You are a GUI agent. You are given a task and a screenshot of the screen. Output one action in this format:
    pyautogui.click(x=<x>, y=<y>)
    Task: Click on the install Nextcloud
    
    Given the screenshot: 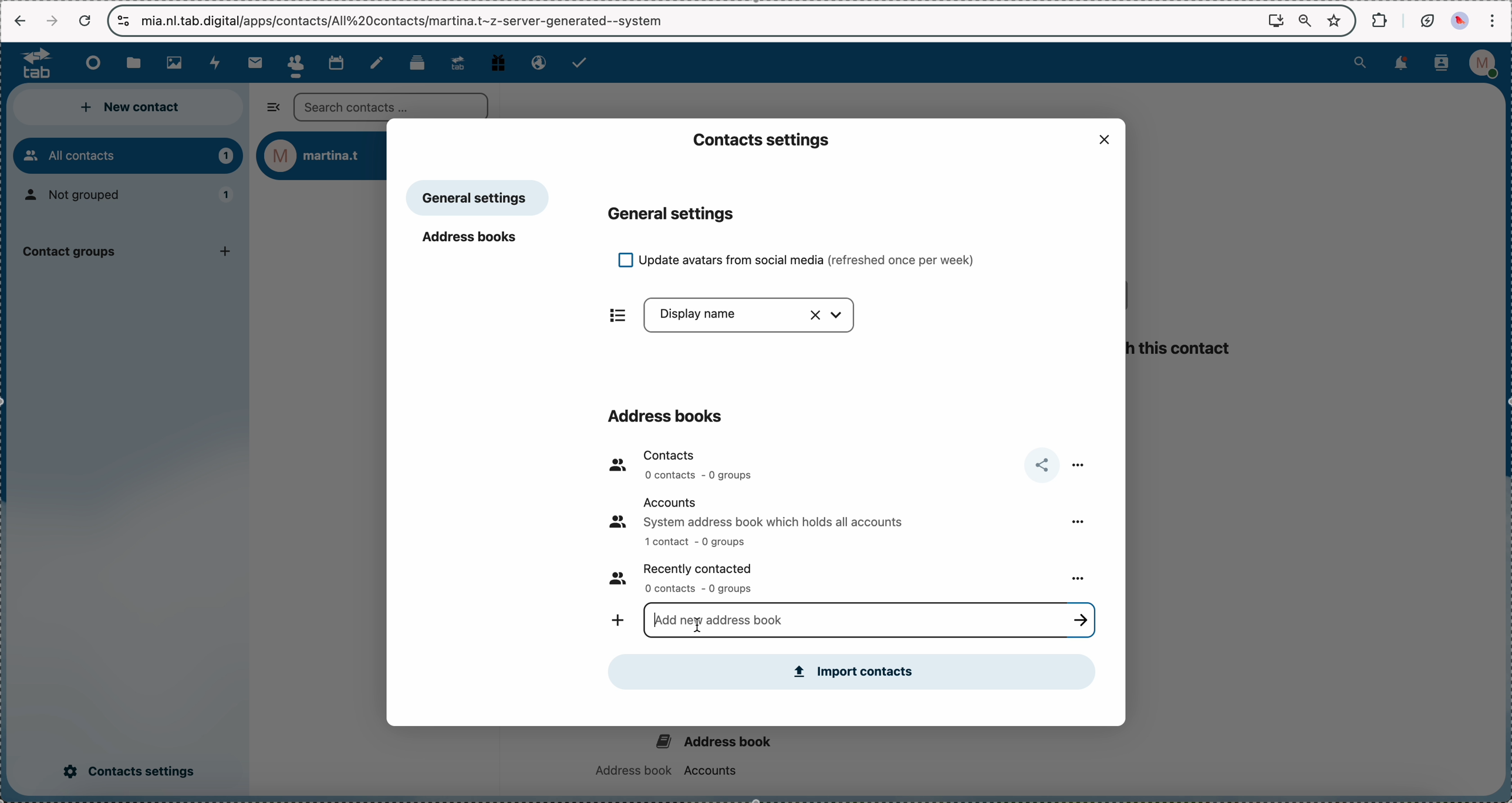 What is the action you would take?
    pyautogui.click(x=1275, y=21)
    